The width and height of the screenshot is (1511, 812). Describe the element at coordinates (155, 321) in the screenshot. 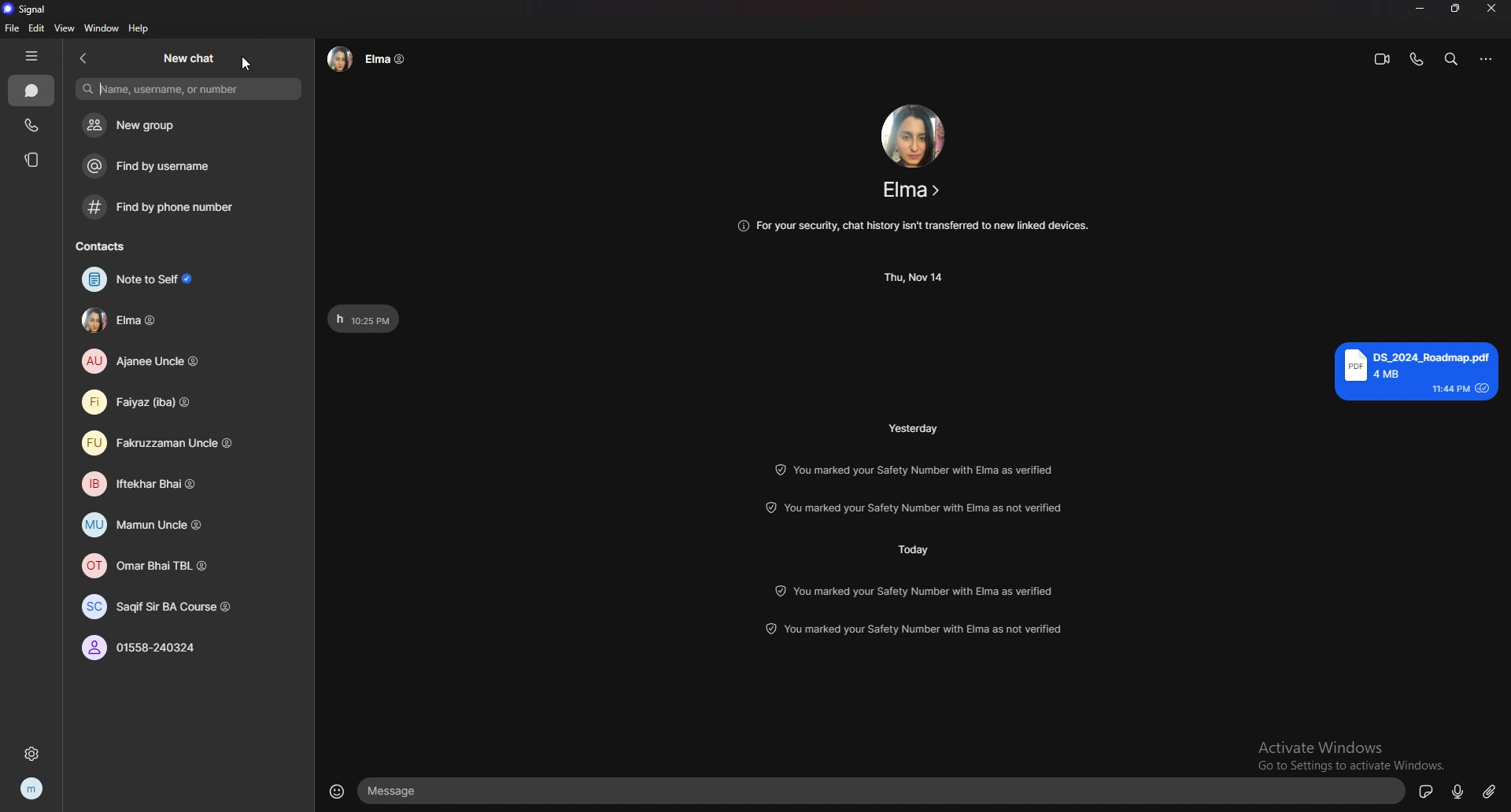

I see `contact` at that location.